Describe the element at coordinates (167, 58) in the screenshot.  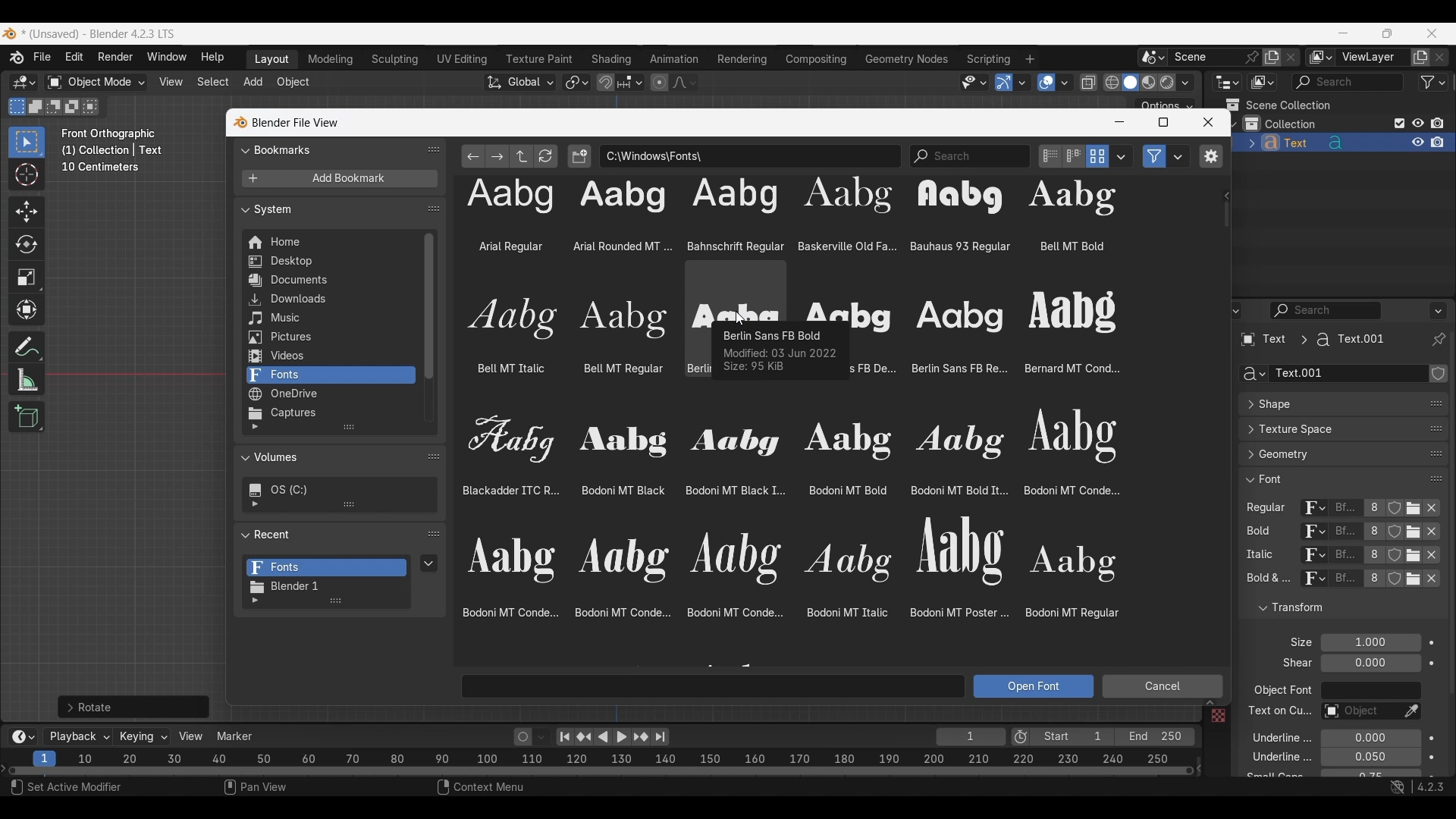
I see `Window menu` at that location.